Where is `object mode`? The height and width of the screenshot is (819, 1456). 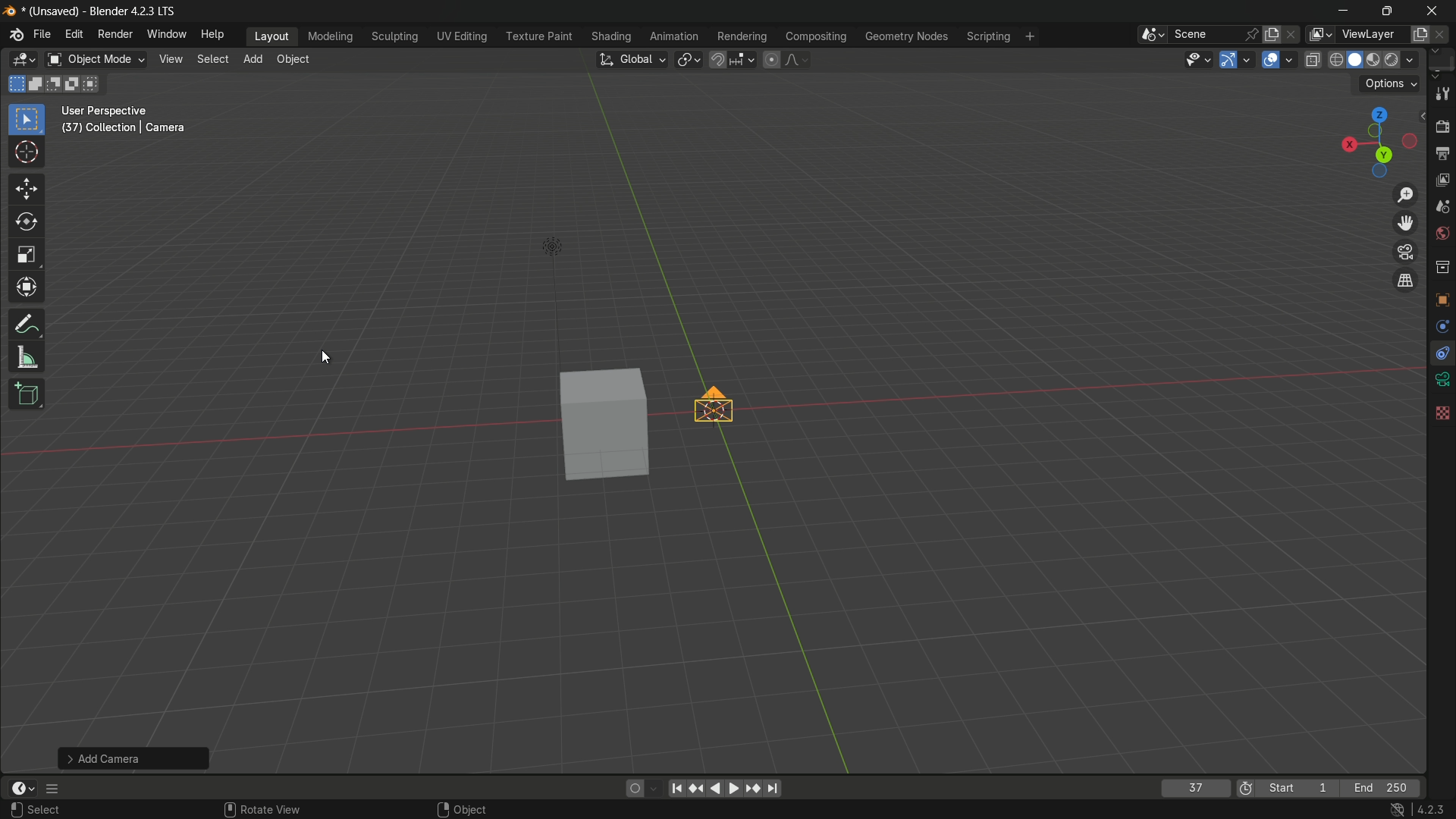
object mode is located at coordinates (96, 59).